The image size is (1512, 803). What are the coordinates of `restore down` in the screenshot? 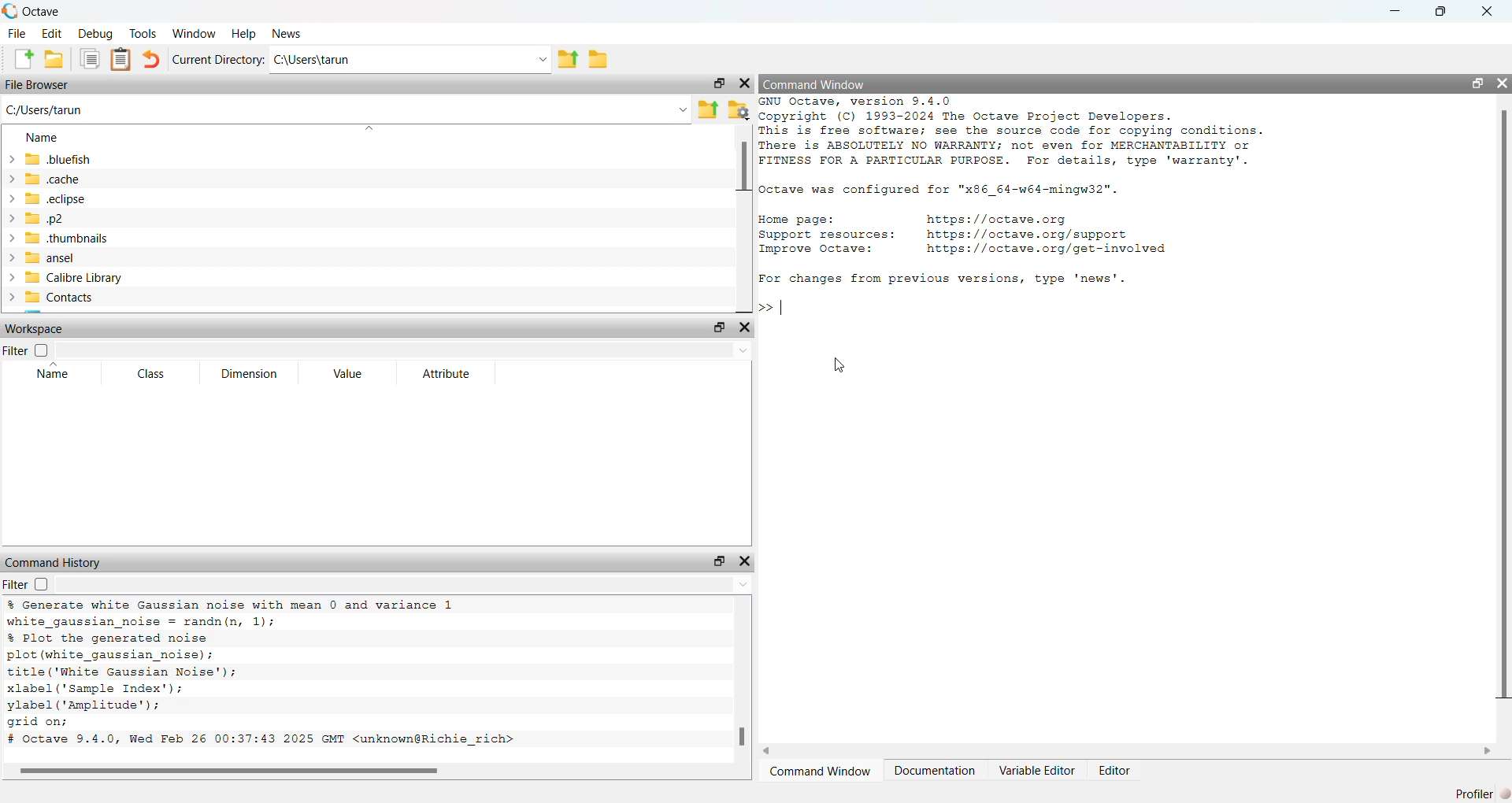 It's located at (1440, 11).